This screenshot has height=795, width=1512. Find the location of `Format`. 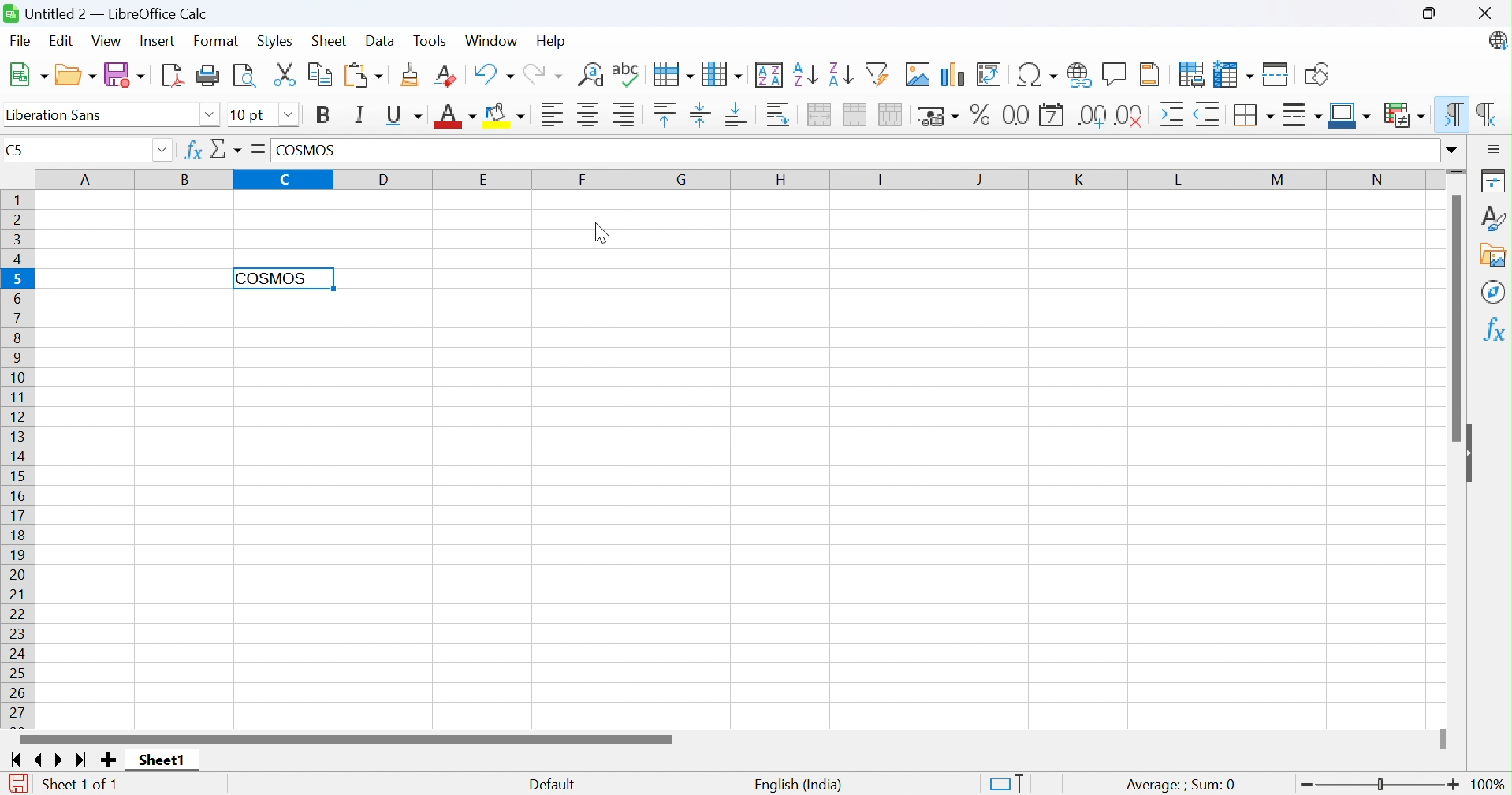

Format is located at coordinates (214, 41).